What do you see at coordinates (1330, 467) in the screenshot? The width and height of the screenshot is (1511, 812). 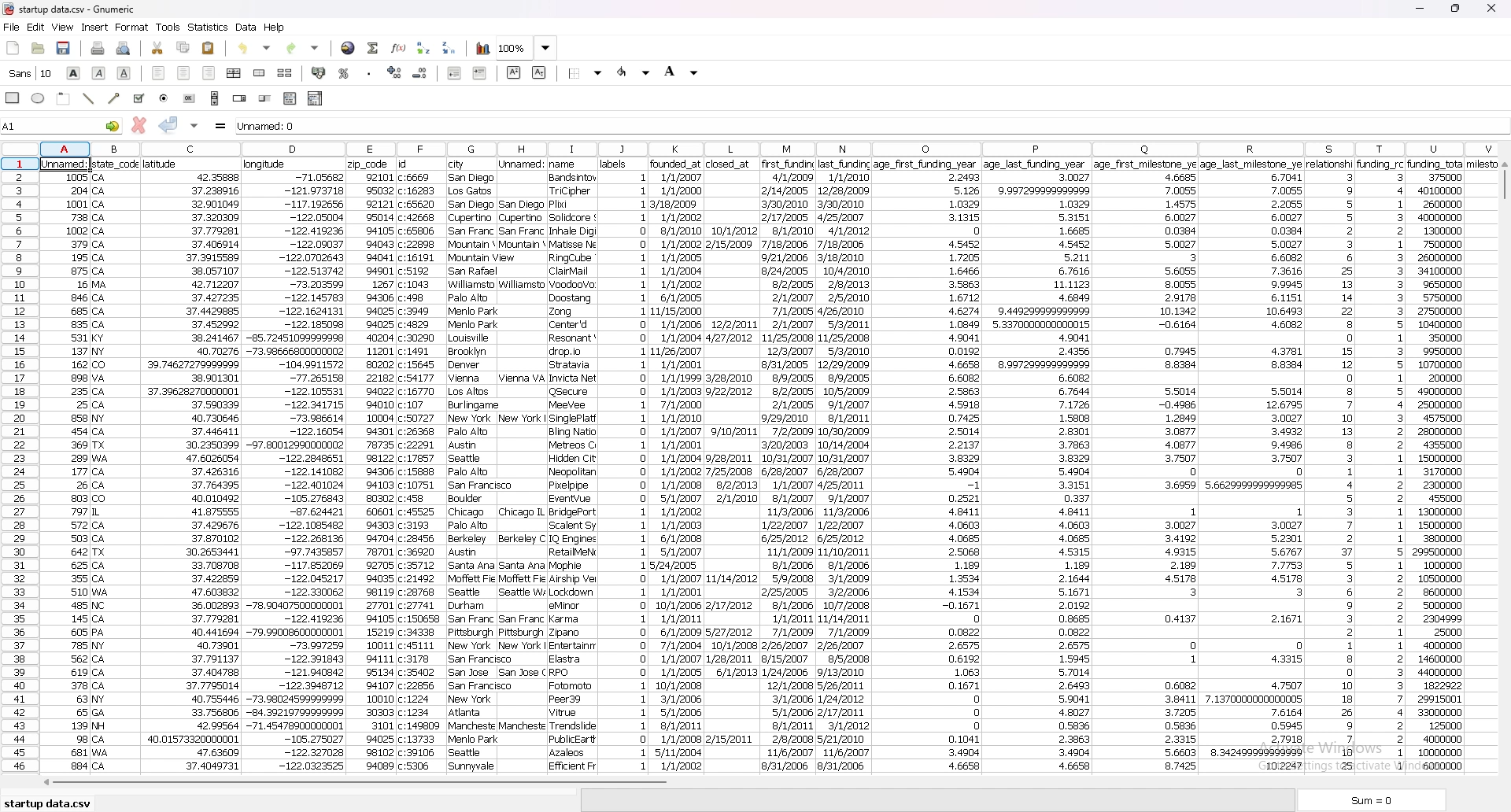 I see `data` at bounding box center [1330, 467].